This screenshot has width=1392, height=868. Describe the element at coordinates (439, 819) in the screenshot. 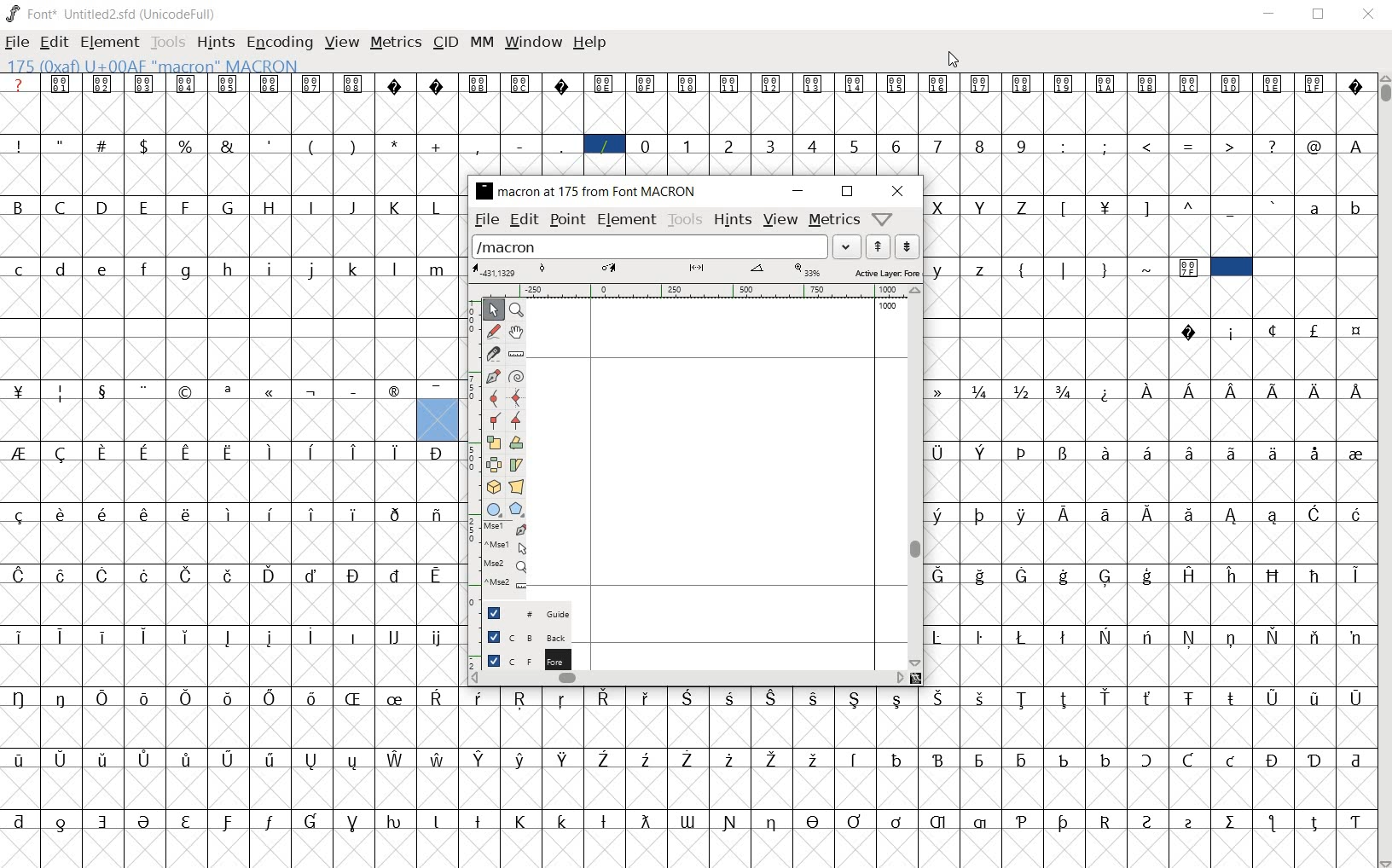

I see `Symbol` at that location.